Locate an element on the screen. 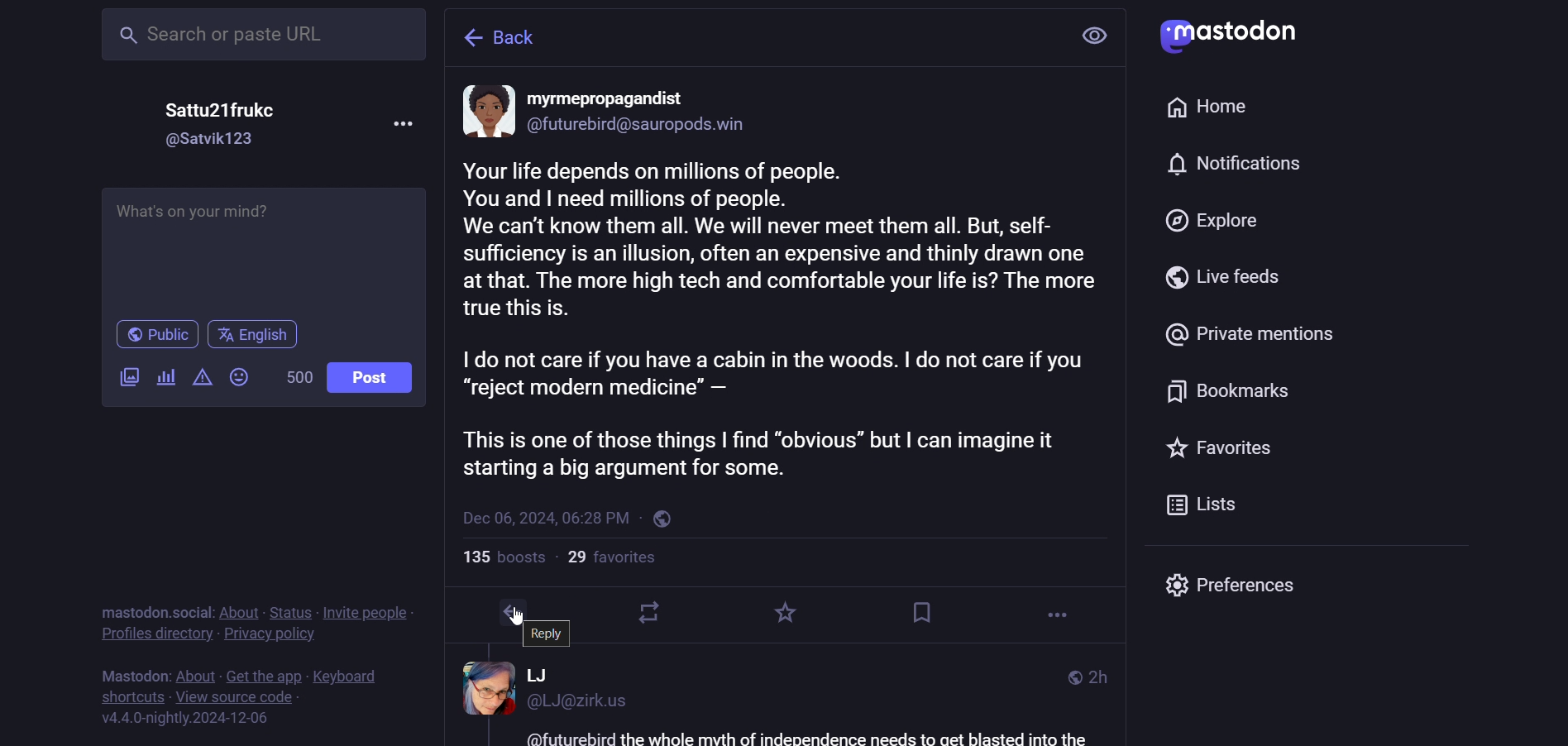 This screenshot has height=746, width=1568. images/videos is located at coordinates (127, 380).